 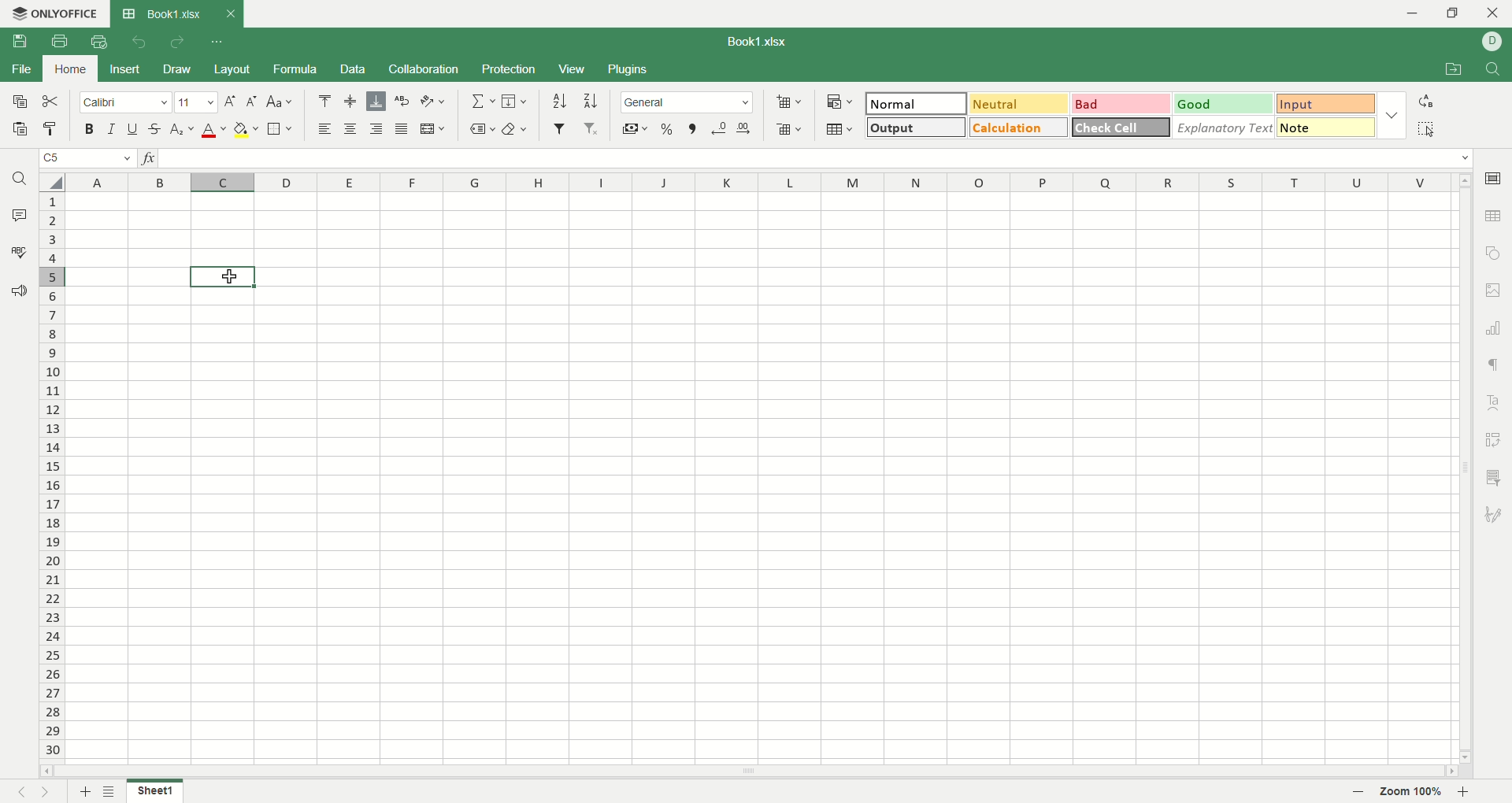 What do you see at coordinates (1495, 439) in the screenshot?
I see `pivot settings` at bounding box center [1495, 439].